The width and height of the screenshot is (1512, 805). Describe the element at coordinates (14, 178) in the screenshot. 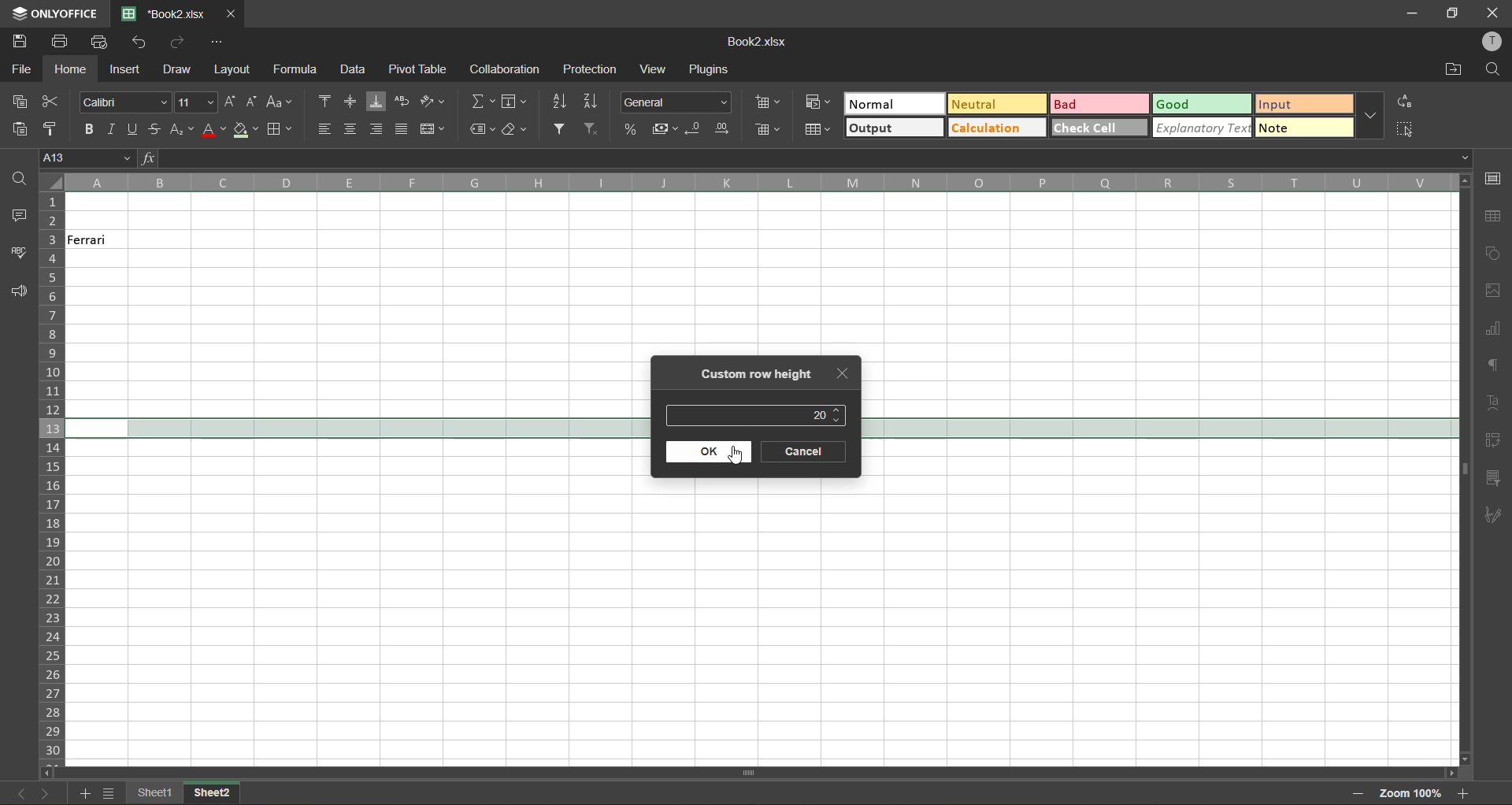

I see `find` at that location.